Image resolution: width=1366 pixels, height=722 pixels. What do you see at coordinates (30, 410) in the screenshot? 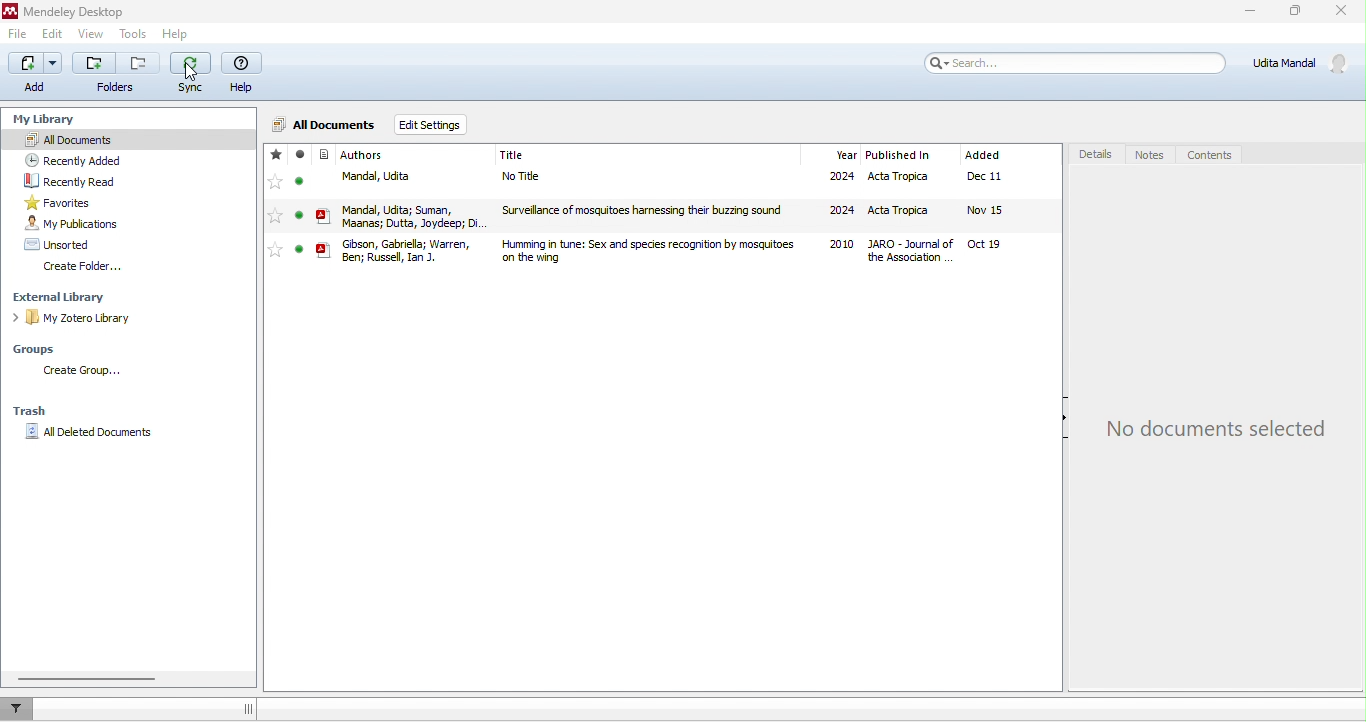
I see `trash` at bounding box center [30, 410].